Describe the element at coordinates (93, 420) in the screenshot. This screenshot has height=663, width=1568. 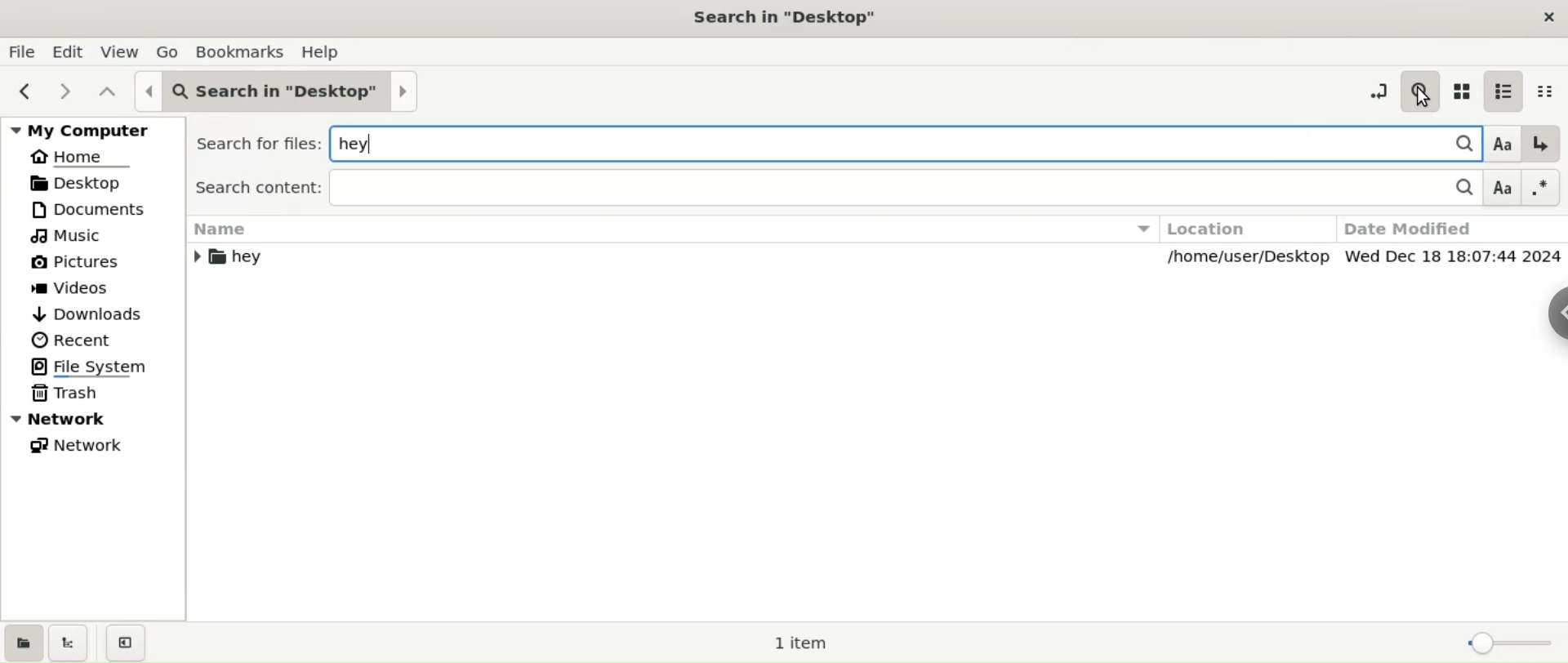
I see `network` at that location.